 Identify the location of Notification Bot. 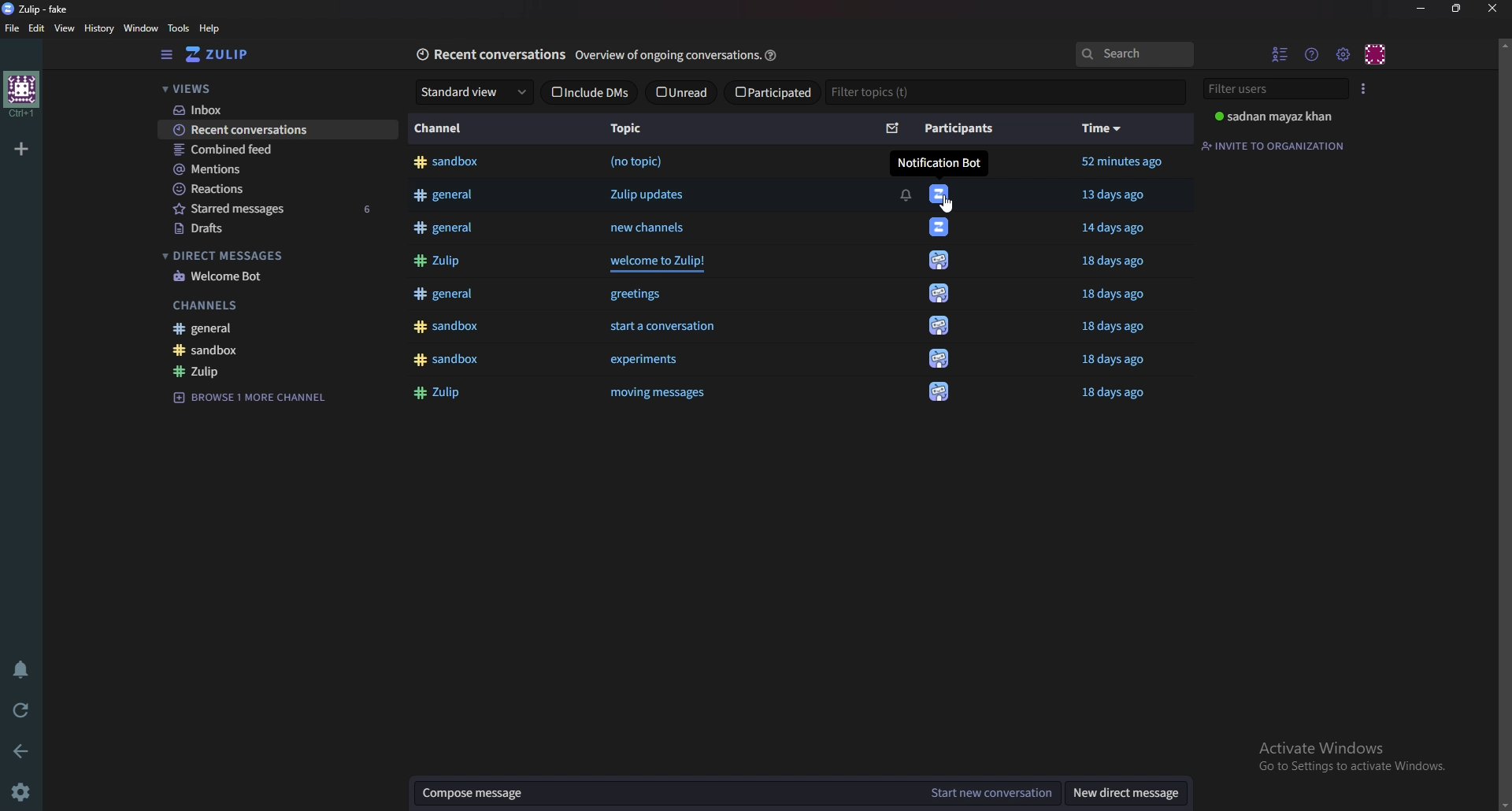
(938, 163).